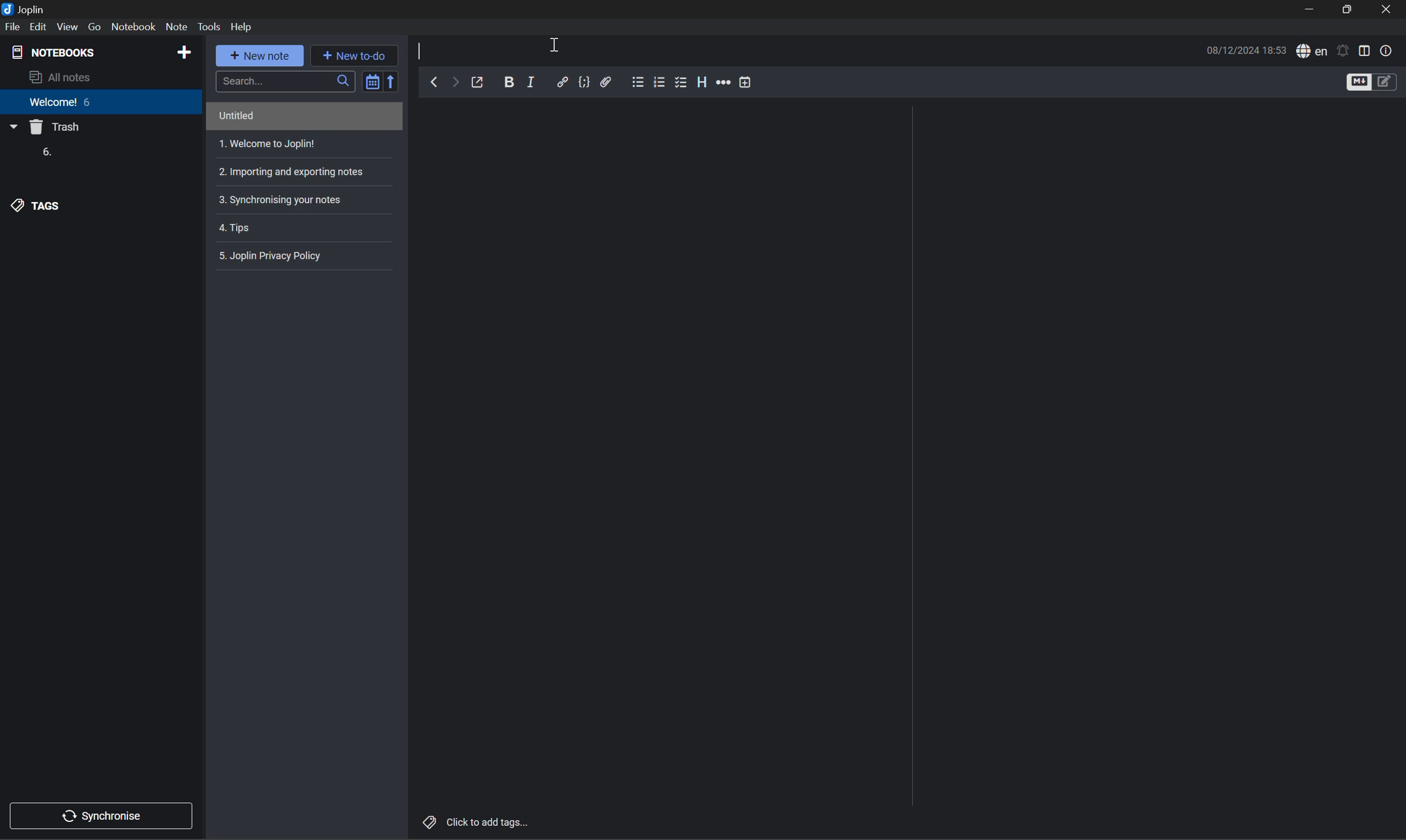 This screenshot has height=840, width=1406. I want to click on 4. Tips, so click(239, 229).